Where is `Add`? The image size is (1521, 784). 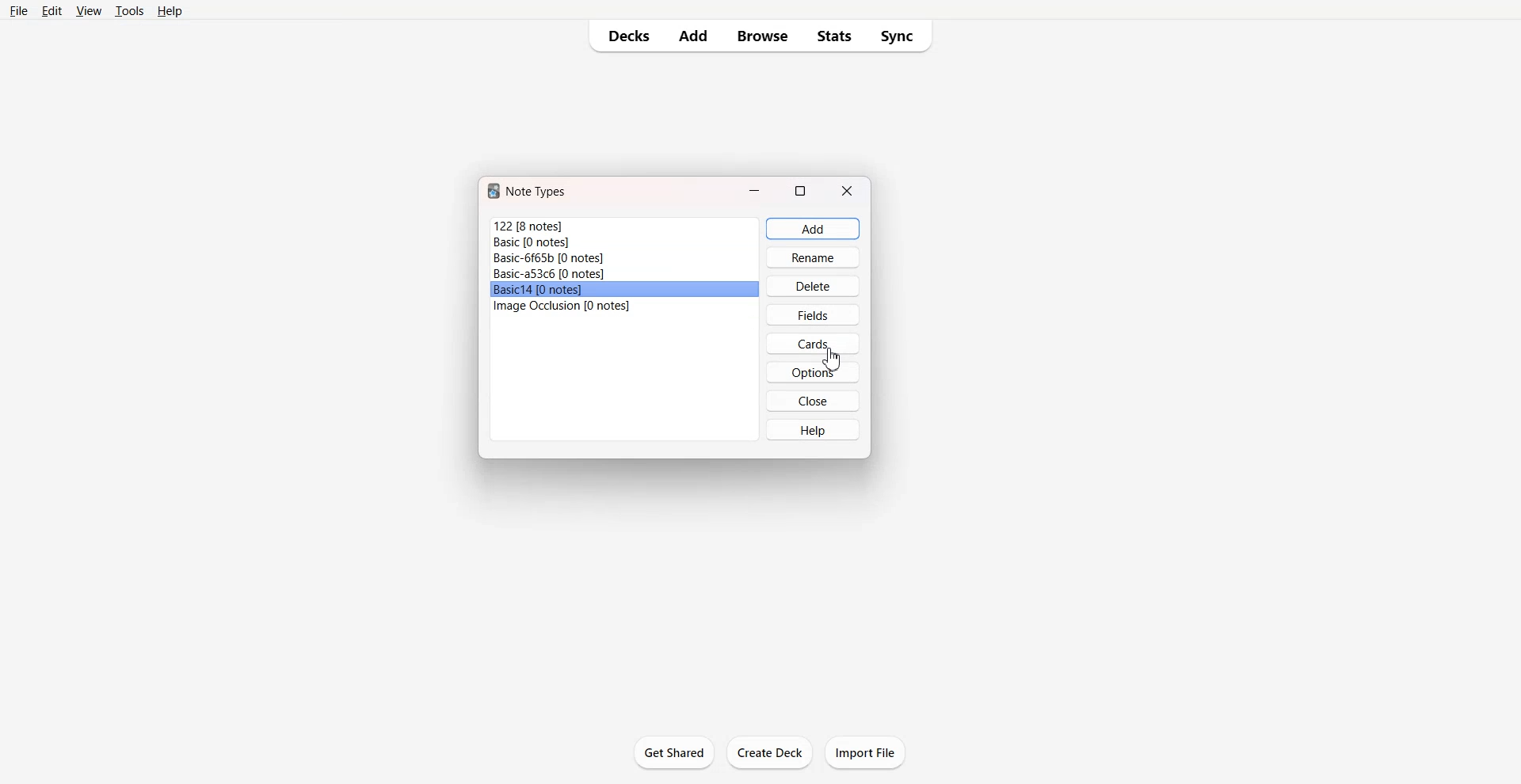 Add is located at coordinates (813, 229).